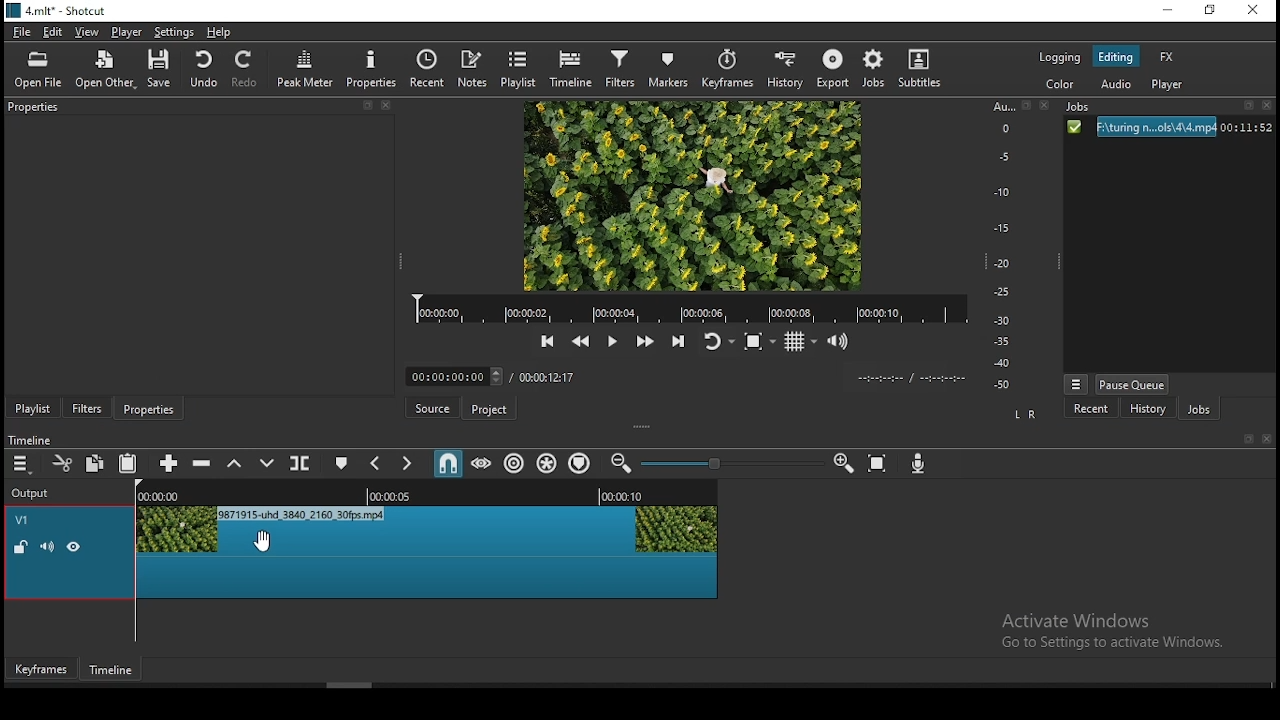  I want to click on mouse pointer, so click(259, 542).